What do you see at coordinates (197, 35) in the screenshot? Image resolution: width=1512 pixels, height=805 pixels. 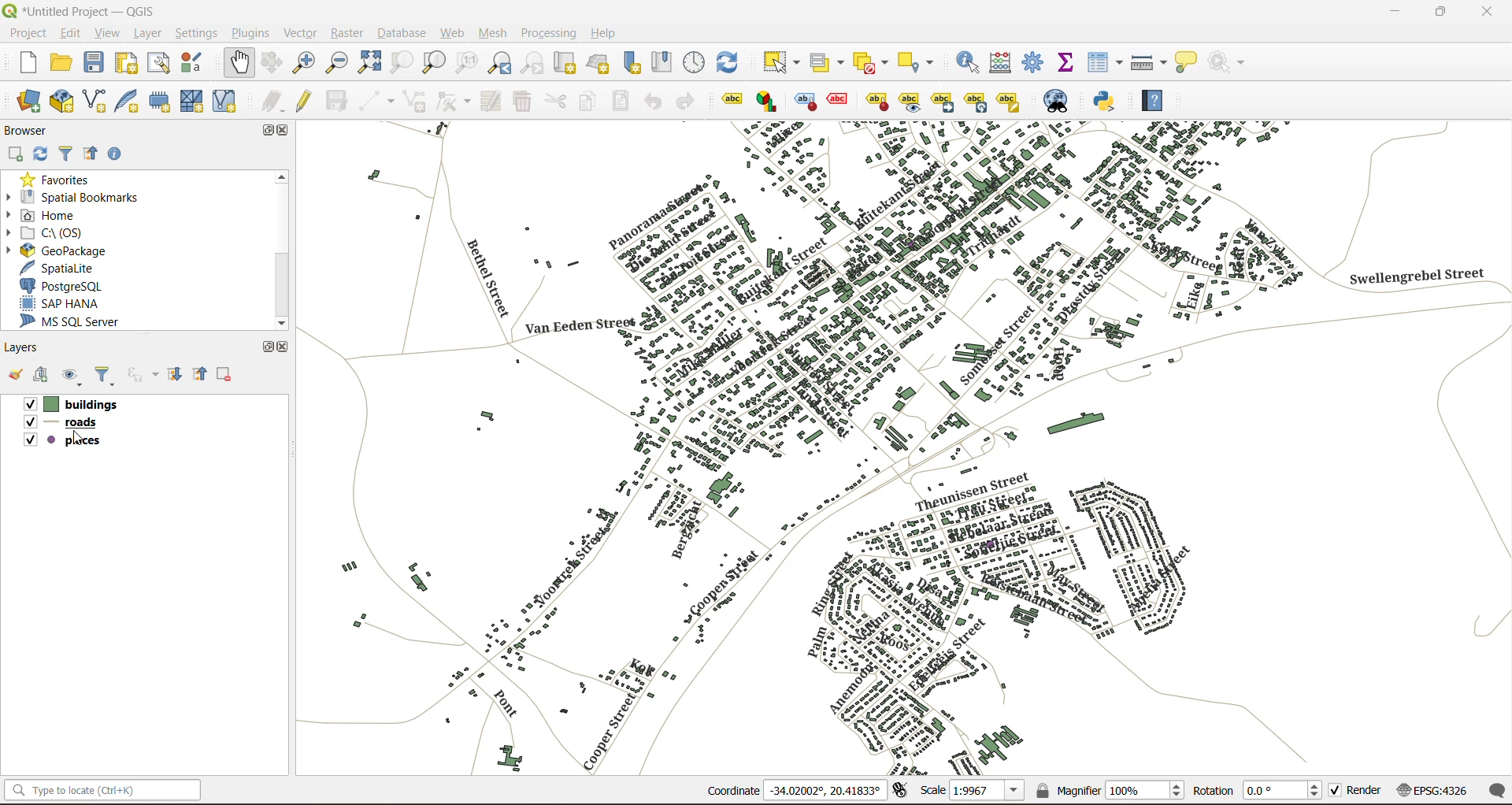 I see `settings` at bounding box center [197, 35].